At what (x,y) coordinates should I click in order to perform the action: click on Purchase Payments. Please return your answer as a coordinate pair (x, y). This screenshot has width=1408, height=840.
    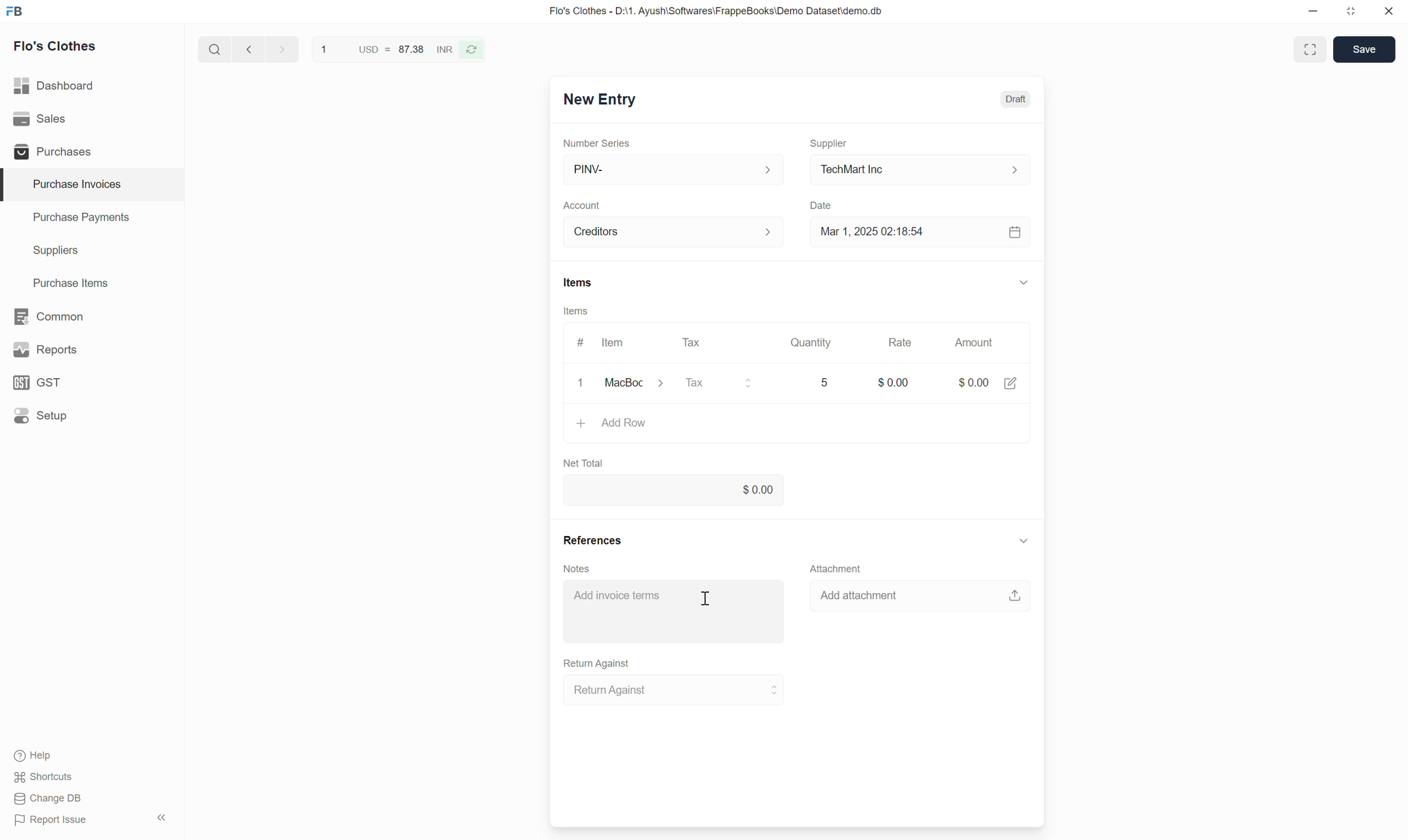
    Looking at the image, I should click on (92, 218).